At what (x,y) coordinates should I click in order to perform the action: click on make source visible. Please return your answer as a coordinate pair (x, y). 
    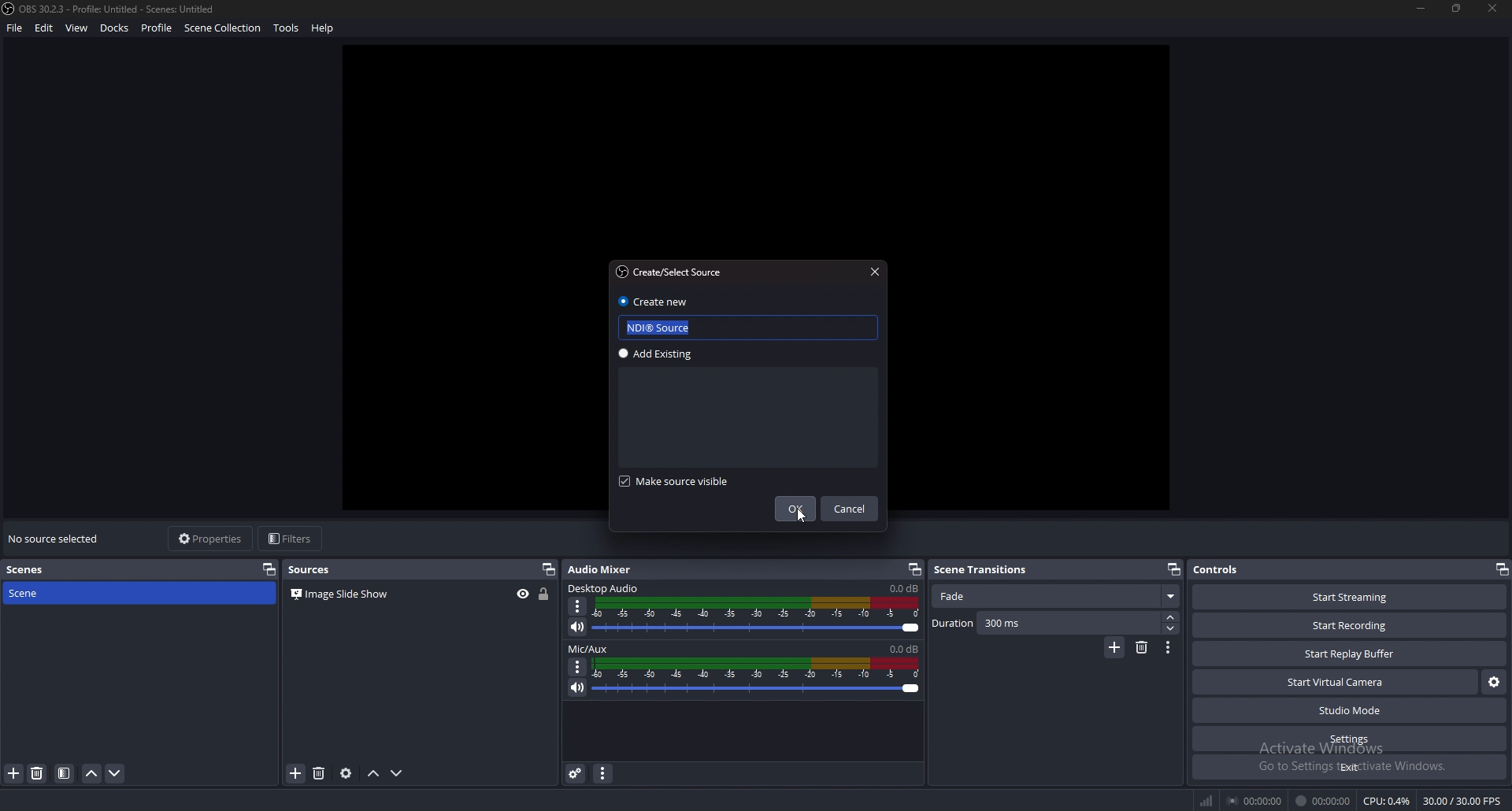
    Looking at the image, I should click on (686, 481).